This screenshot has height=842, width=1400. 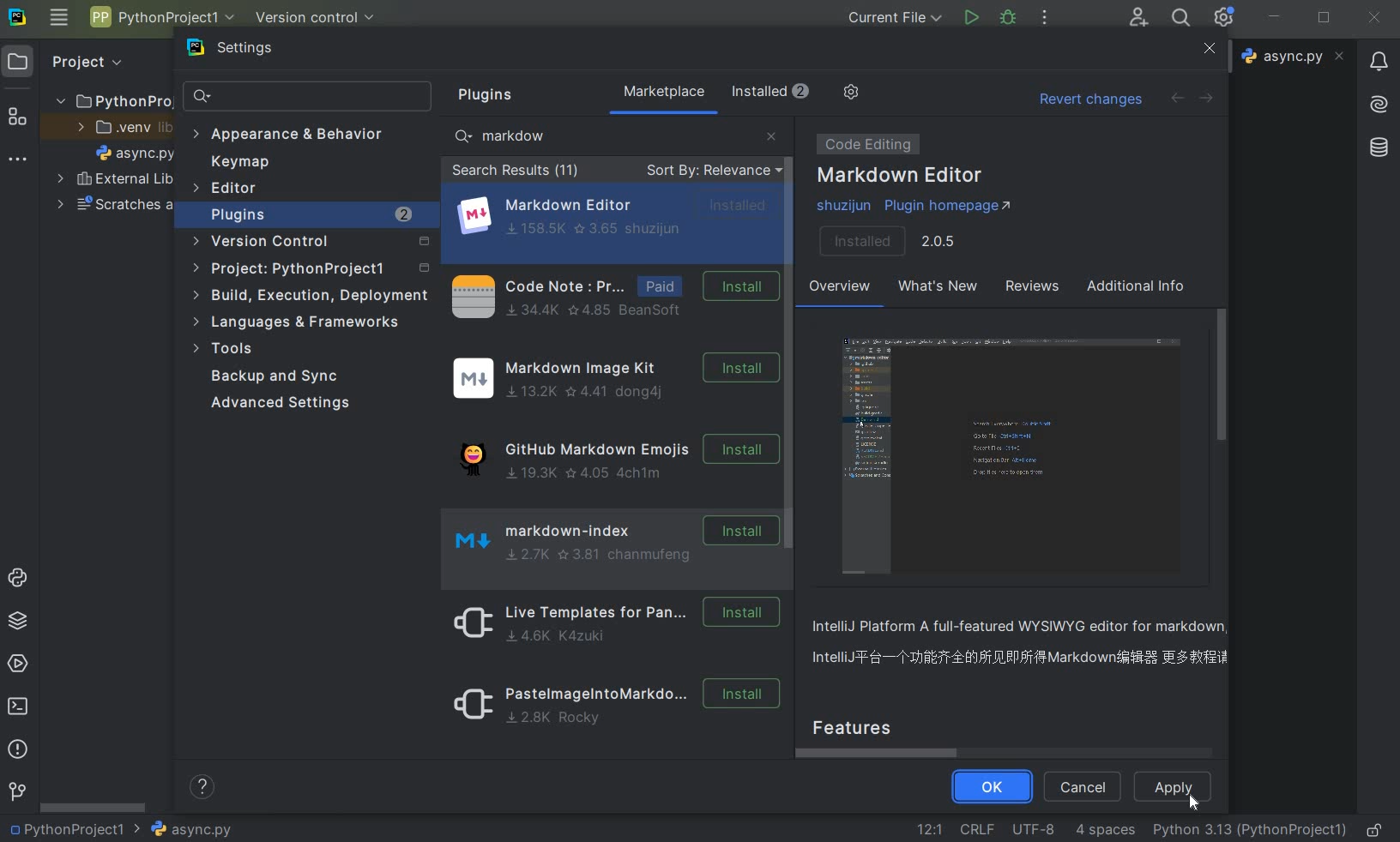 What do you see at coordinates (1176, 98) in the screenshot?
I see `back` at bounding box center [1176, 98].